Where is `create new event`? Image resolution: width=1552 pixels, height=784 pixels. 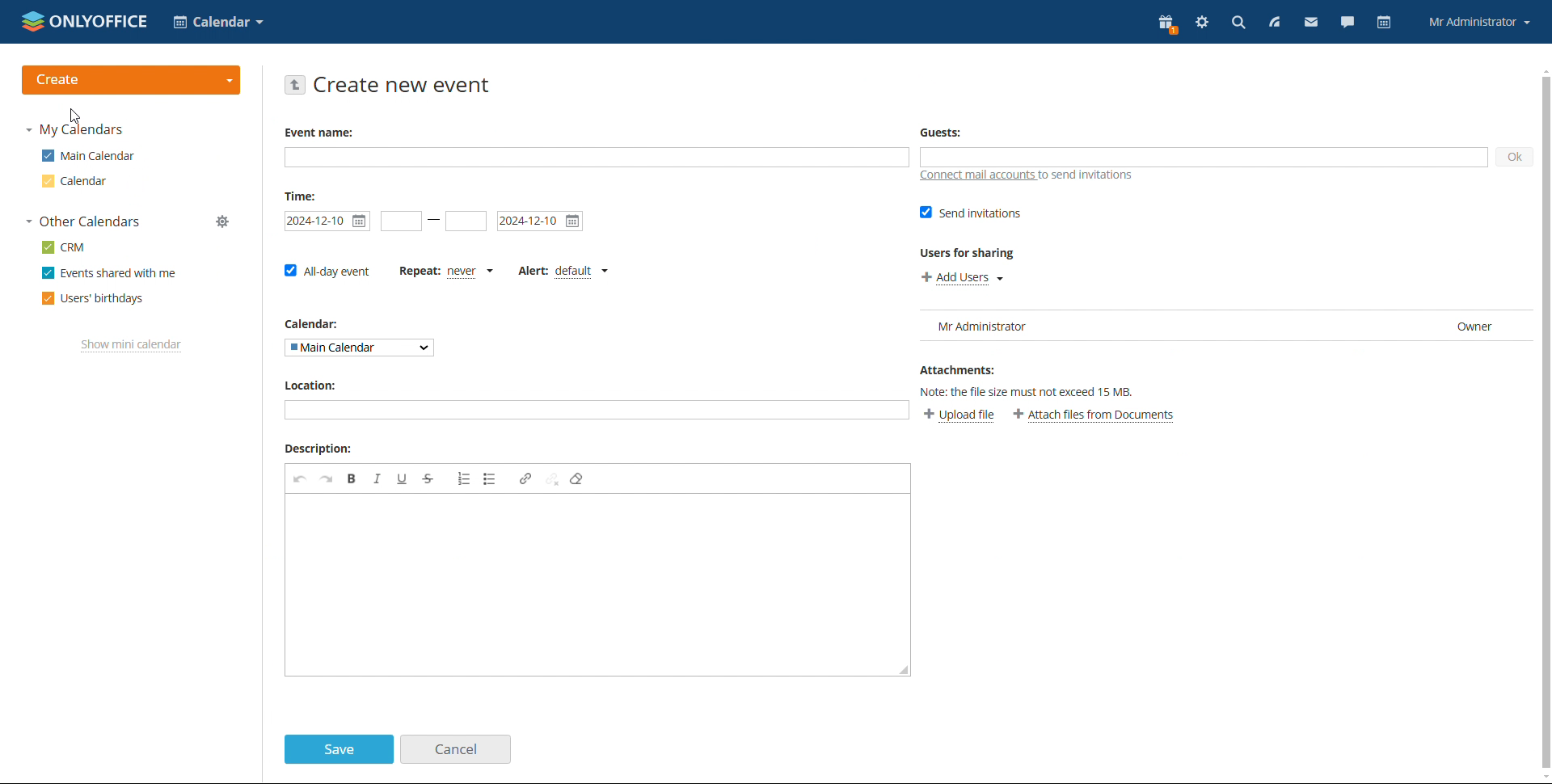
create new event is located at coordinates (405, 86).